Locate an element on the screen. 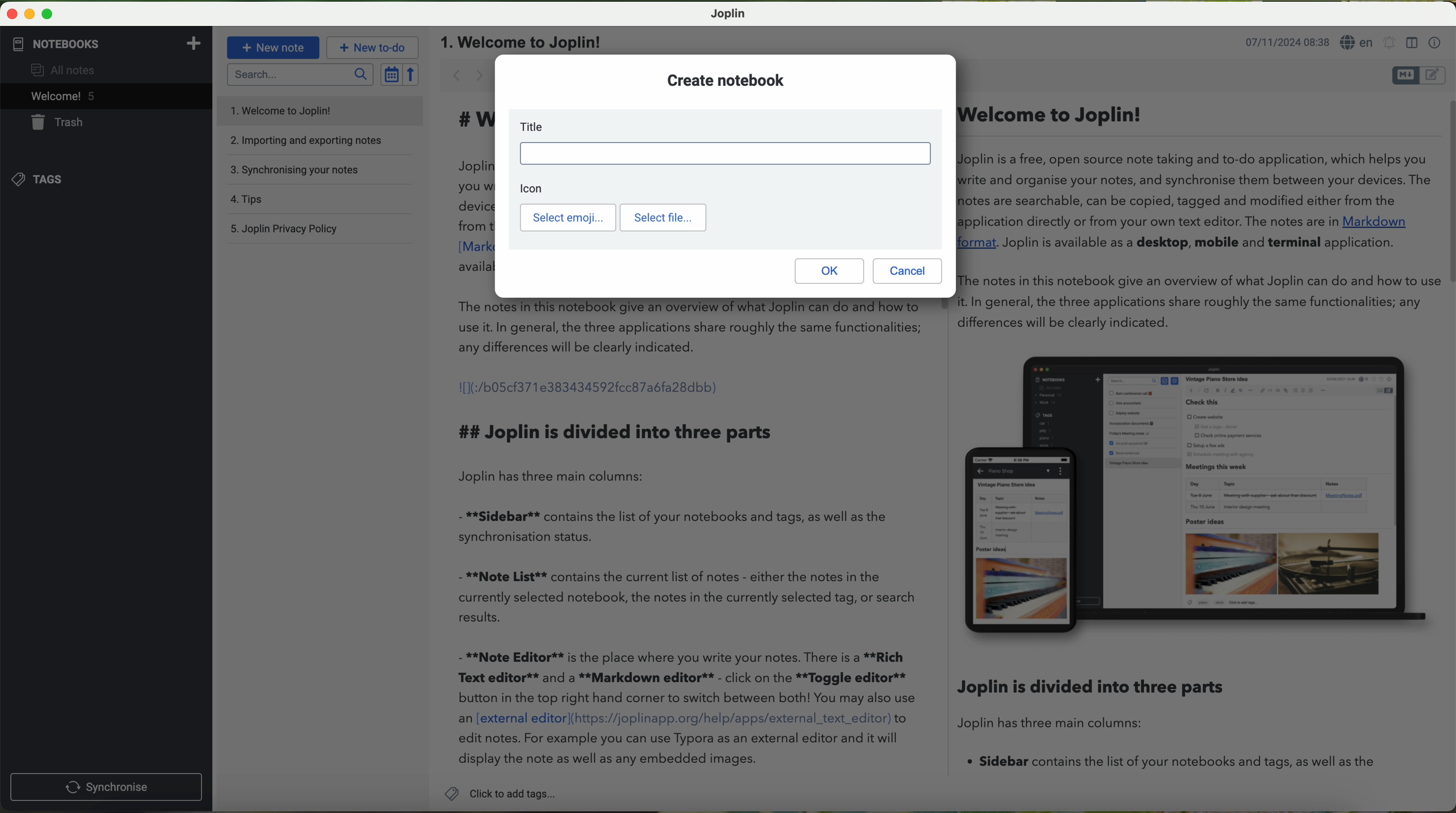 This screenshot has height=813, width=1456. language is located at coordinates (1357, 44).